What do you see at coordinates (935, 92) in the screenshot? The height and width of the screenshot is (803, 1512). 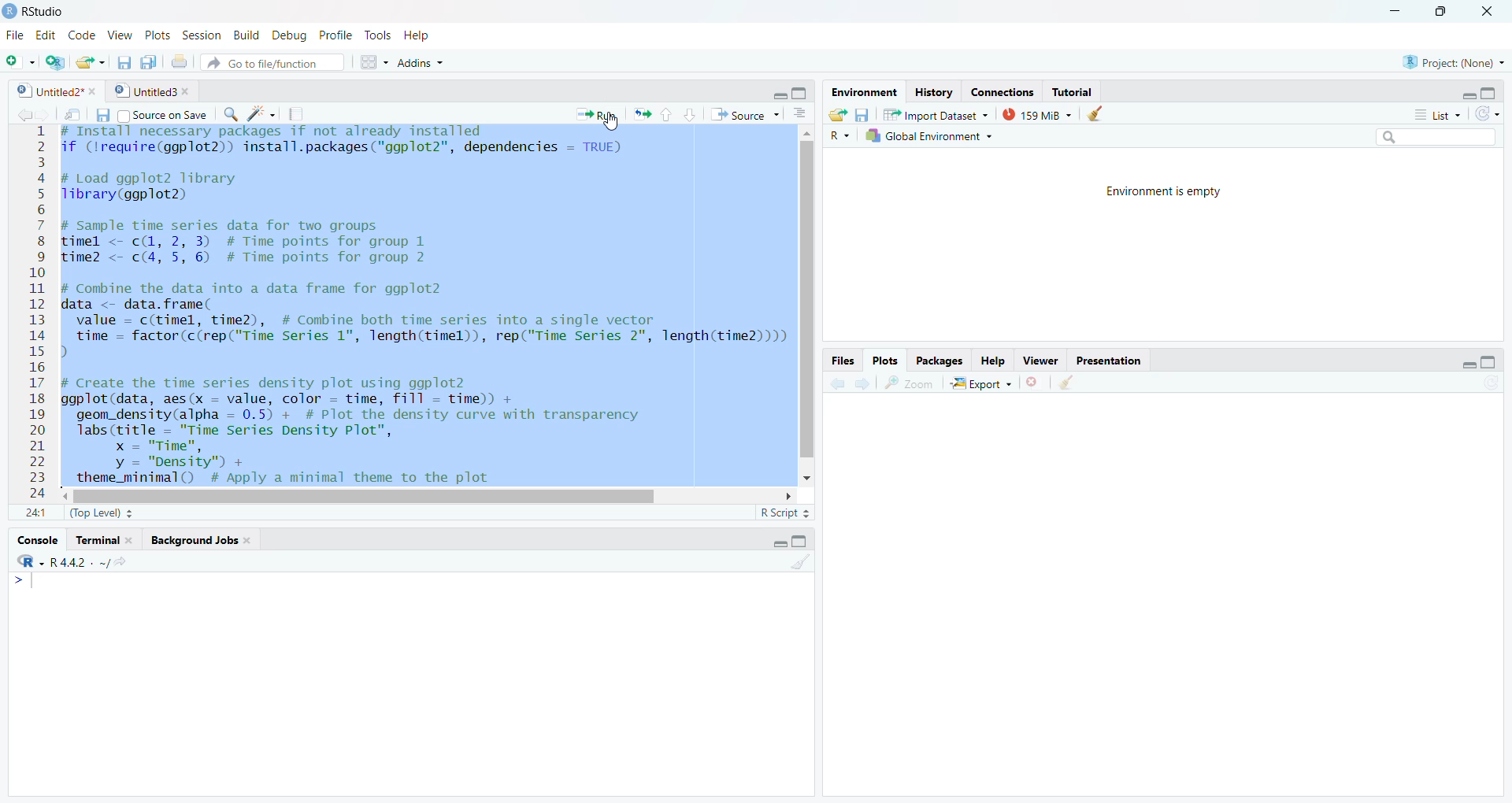 I see `History` at bounding box center [935, 92].